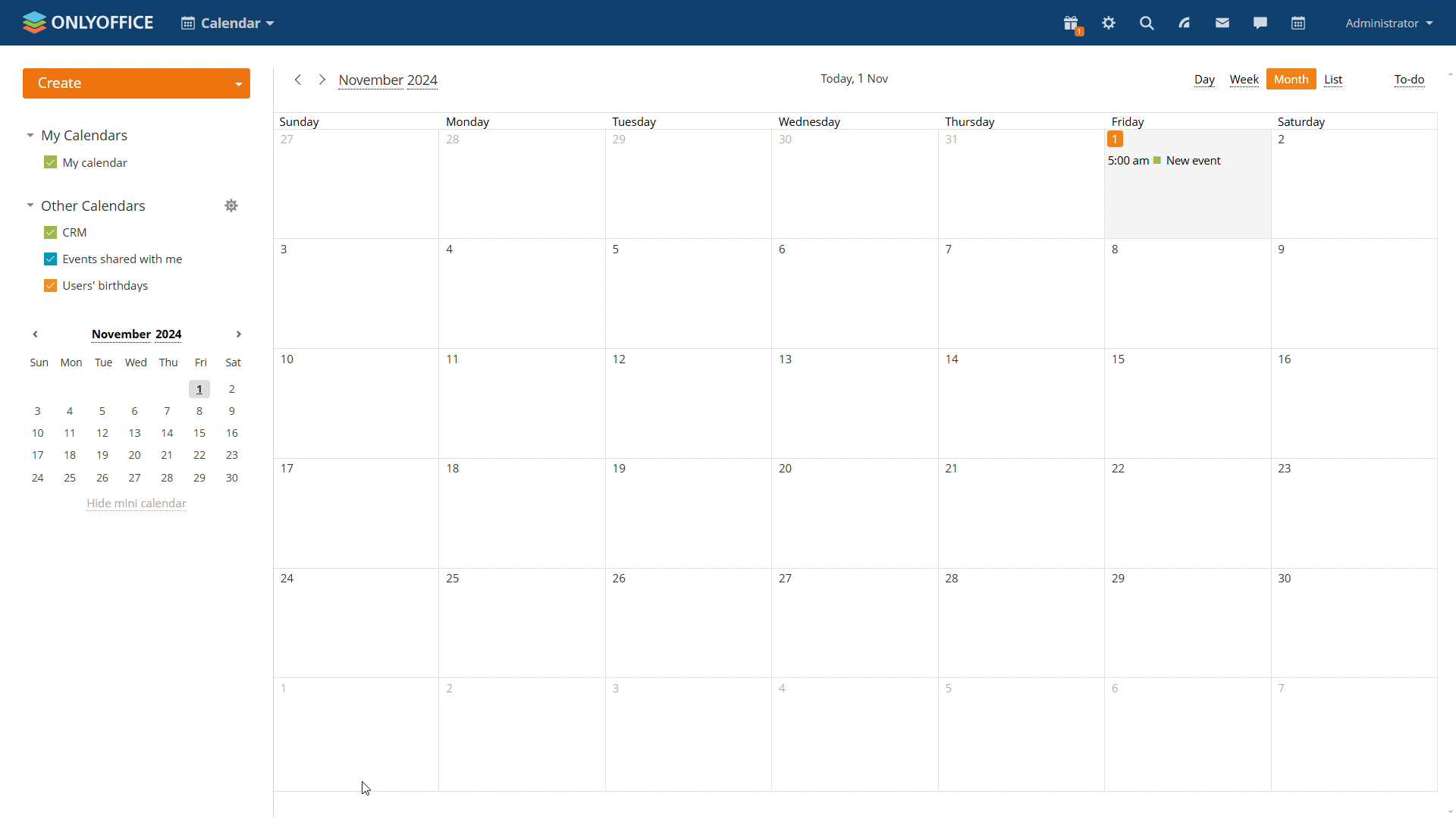  I want to click on crm, so click(70, 234).